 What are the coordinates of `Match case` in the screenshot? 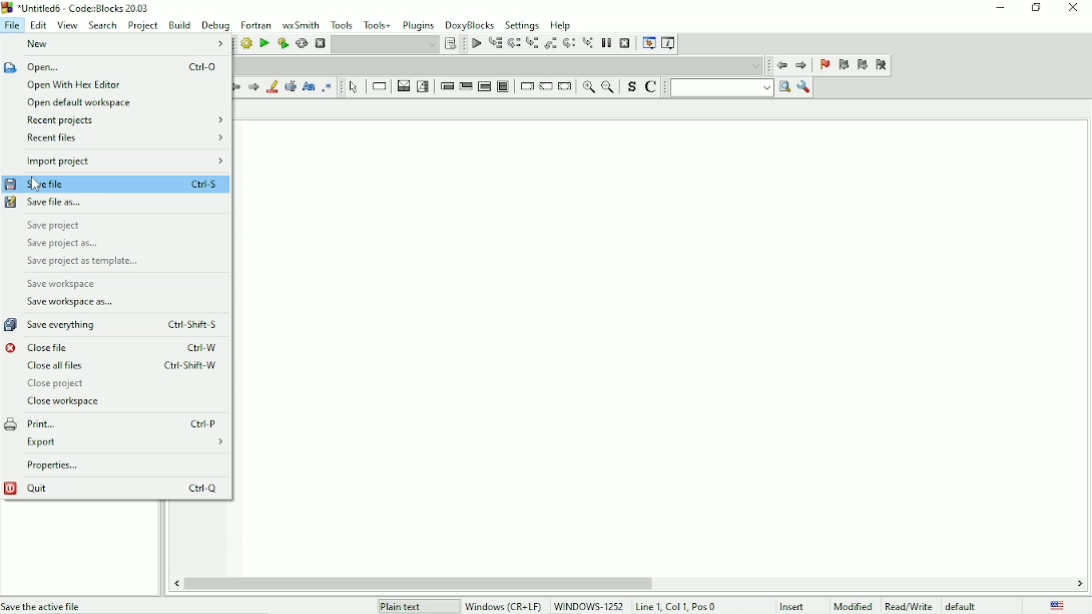 It's located at (308, 87).